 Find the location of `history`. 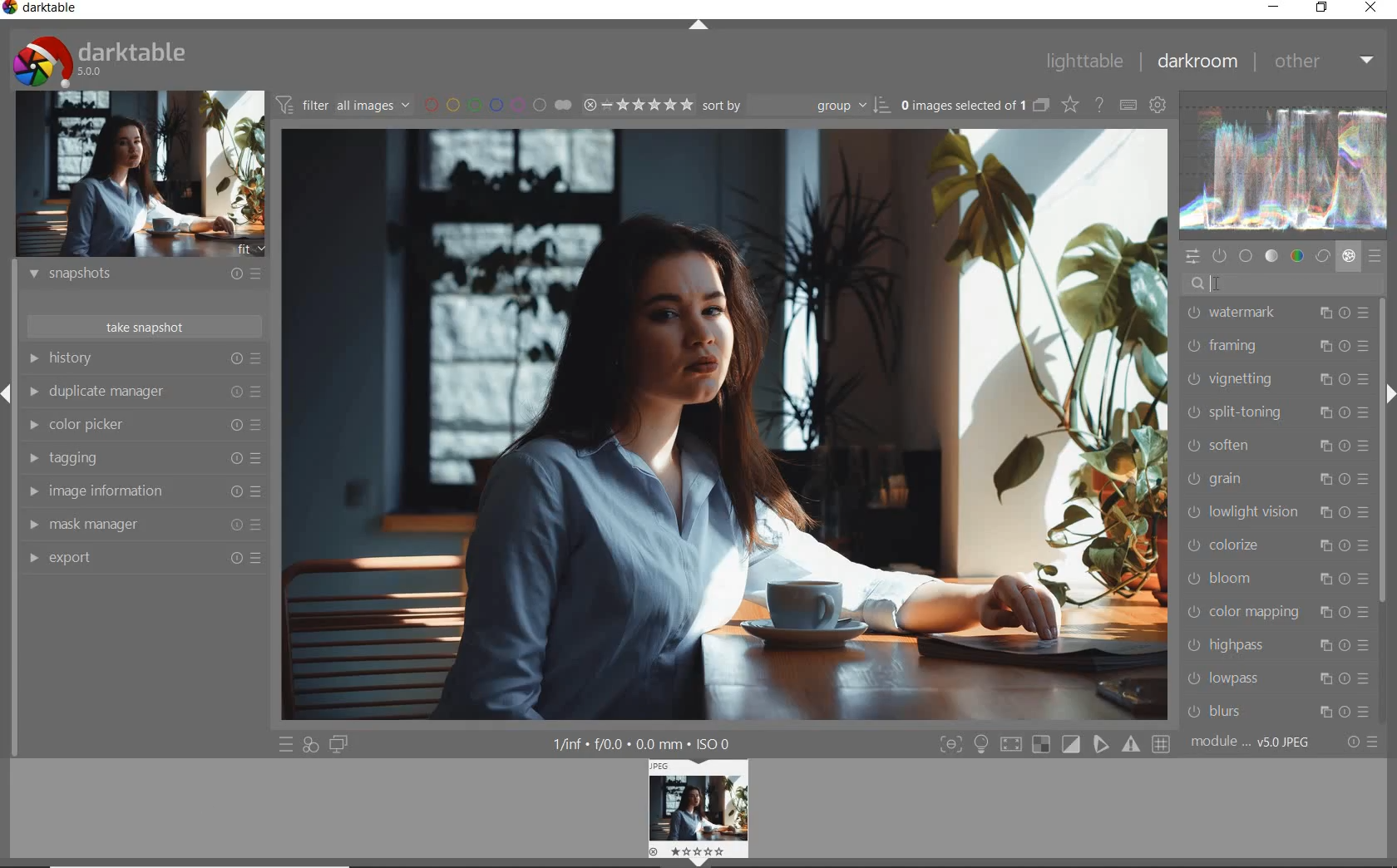

history is located at coordinates (142, 358).